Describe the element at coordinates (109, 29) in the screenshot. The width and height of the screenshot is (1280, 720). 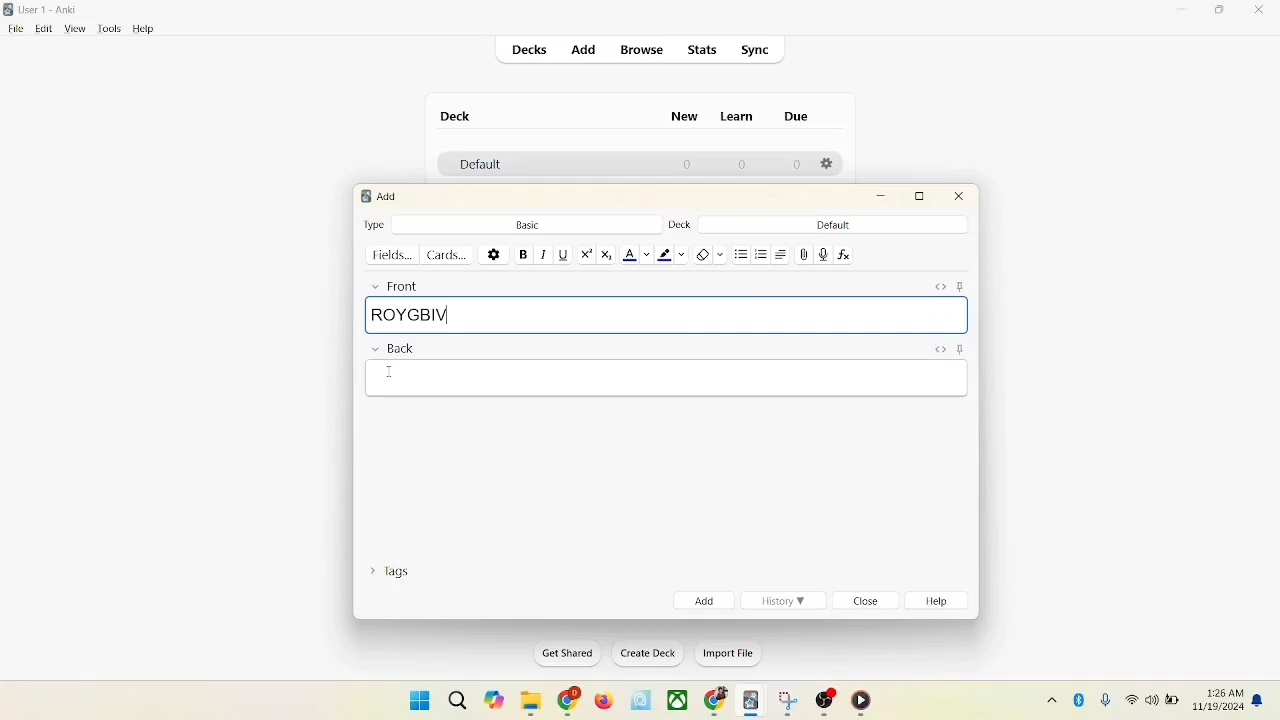
I see `tools` at that location.